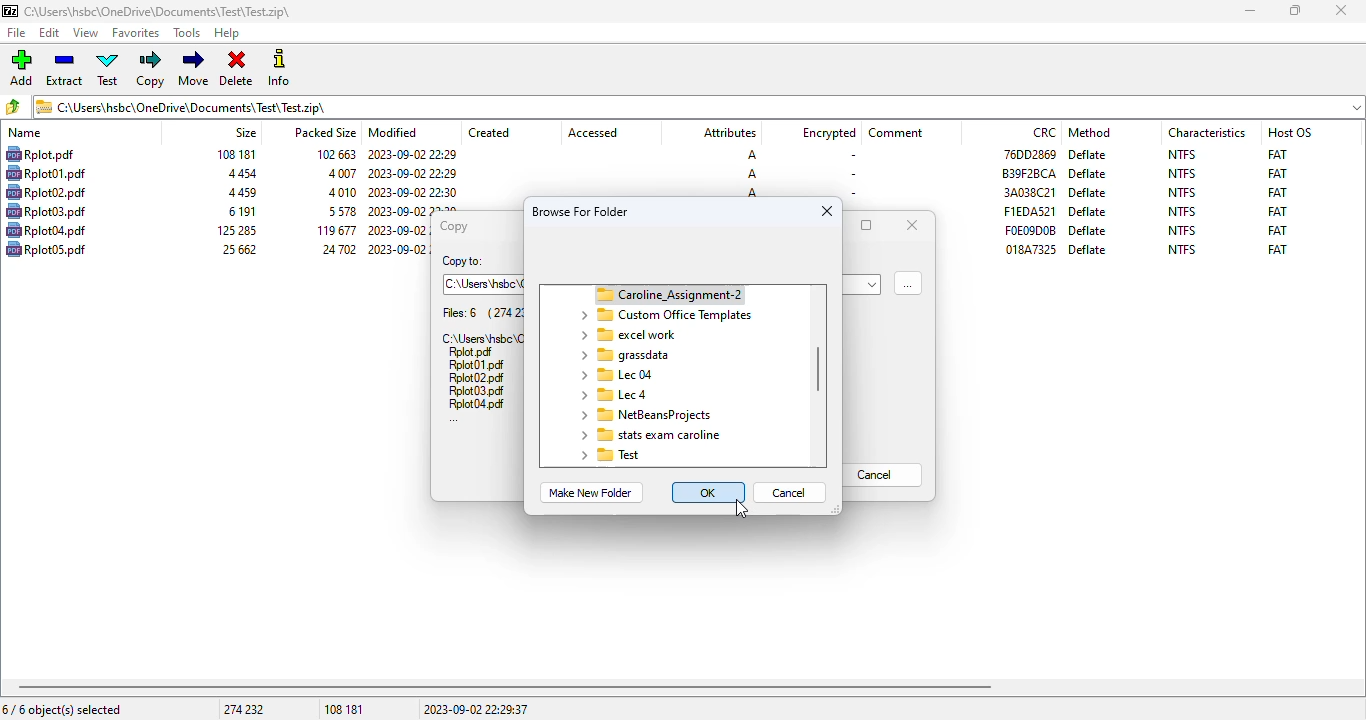  Describe the element at coordinates (240, 193) in the screenshot. I see `size` at that location.